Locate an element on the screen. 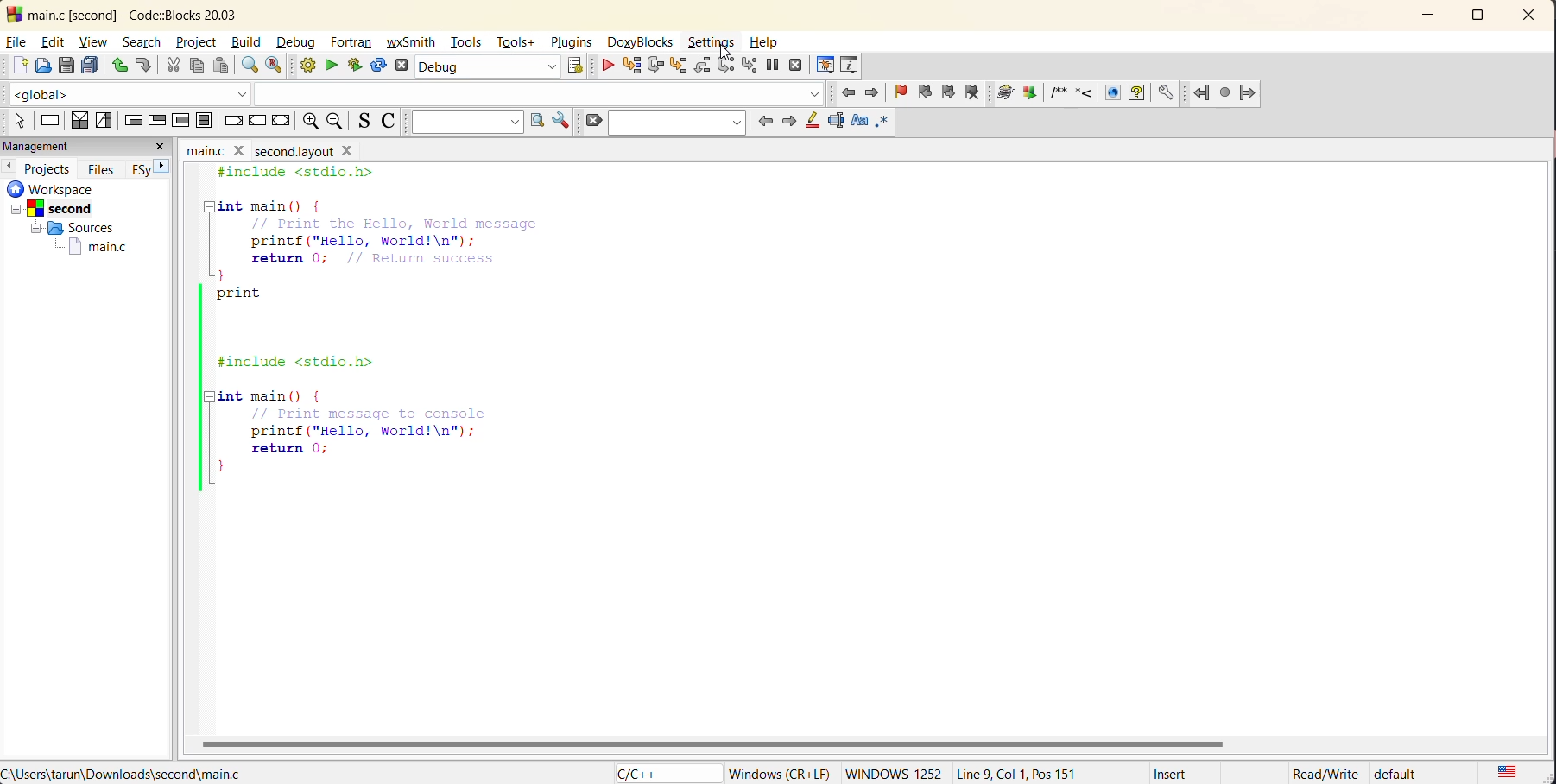 The height and width of the screenshot is (784, 1556). next bookmark is located at coordinates (945, 92).